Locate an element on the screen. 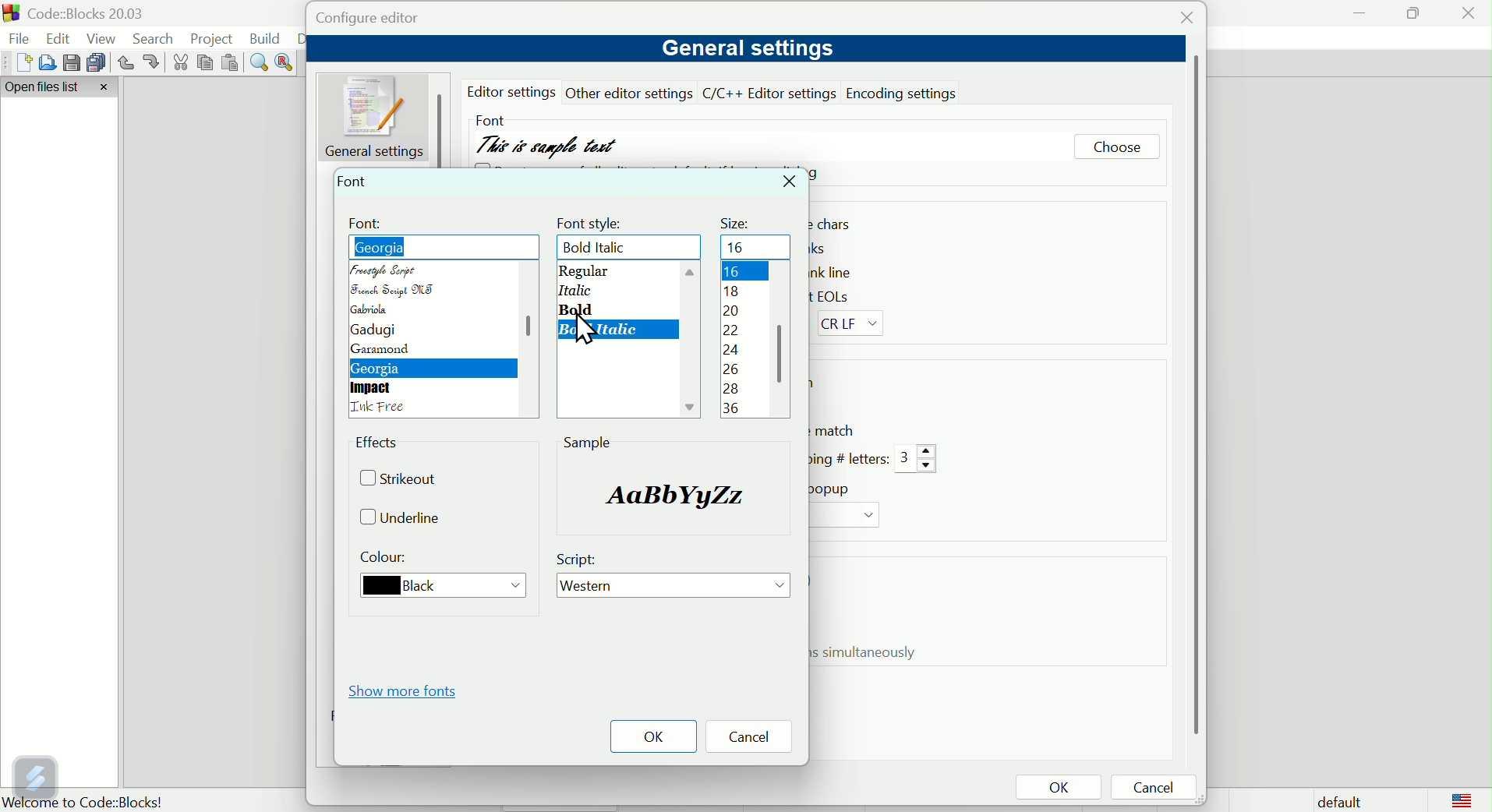  OK is located at coordinates (1058, 789).